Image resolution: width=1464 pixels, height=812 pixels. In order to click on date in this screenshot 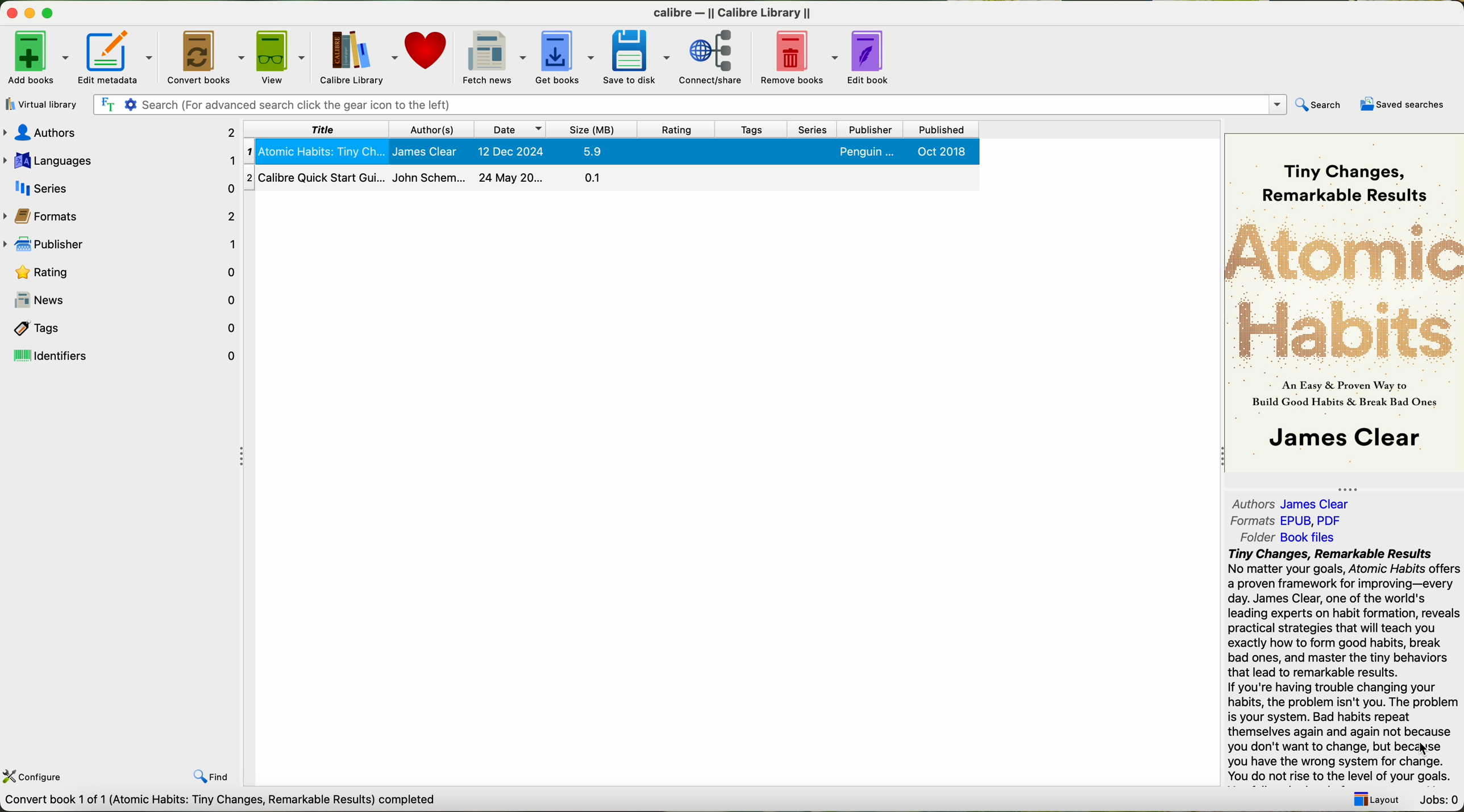, I will do `click(509, 129)`.